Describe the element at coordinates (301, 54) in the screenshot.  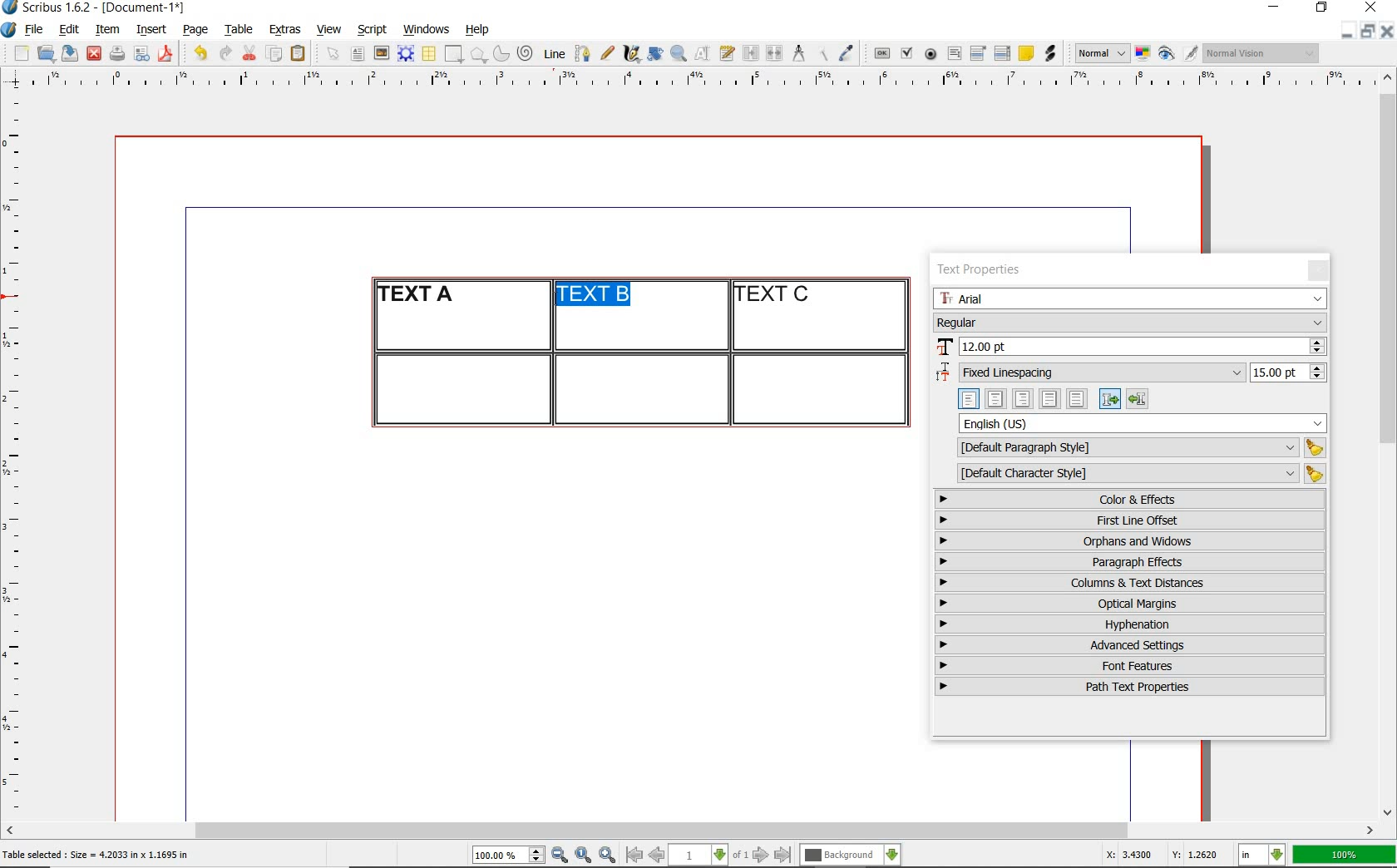
I see `paste` at that location.